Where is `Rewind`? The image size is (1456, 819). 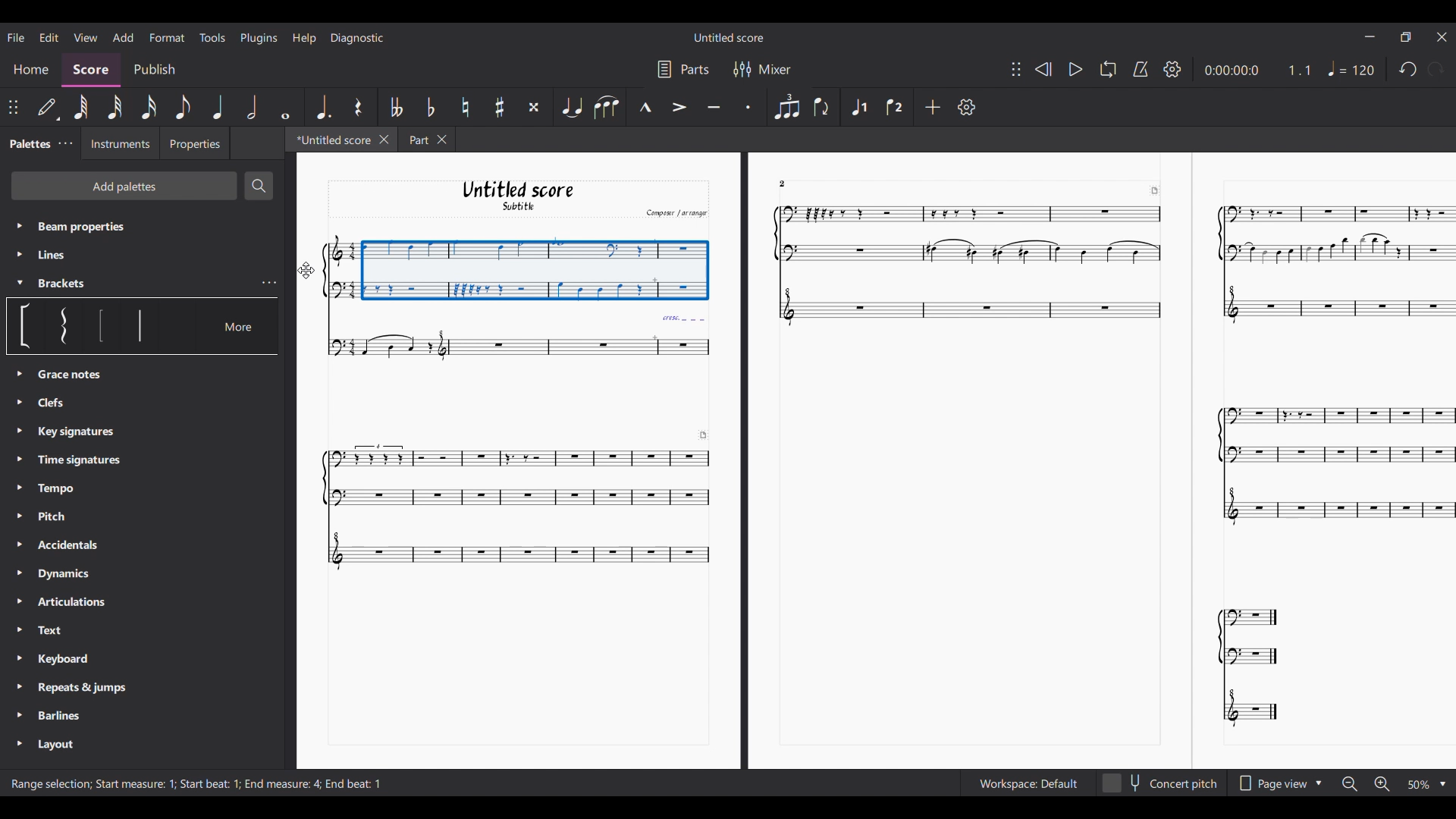 Rewind is located at coordinates (1043, 69).